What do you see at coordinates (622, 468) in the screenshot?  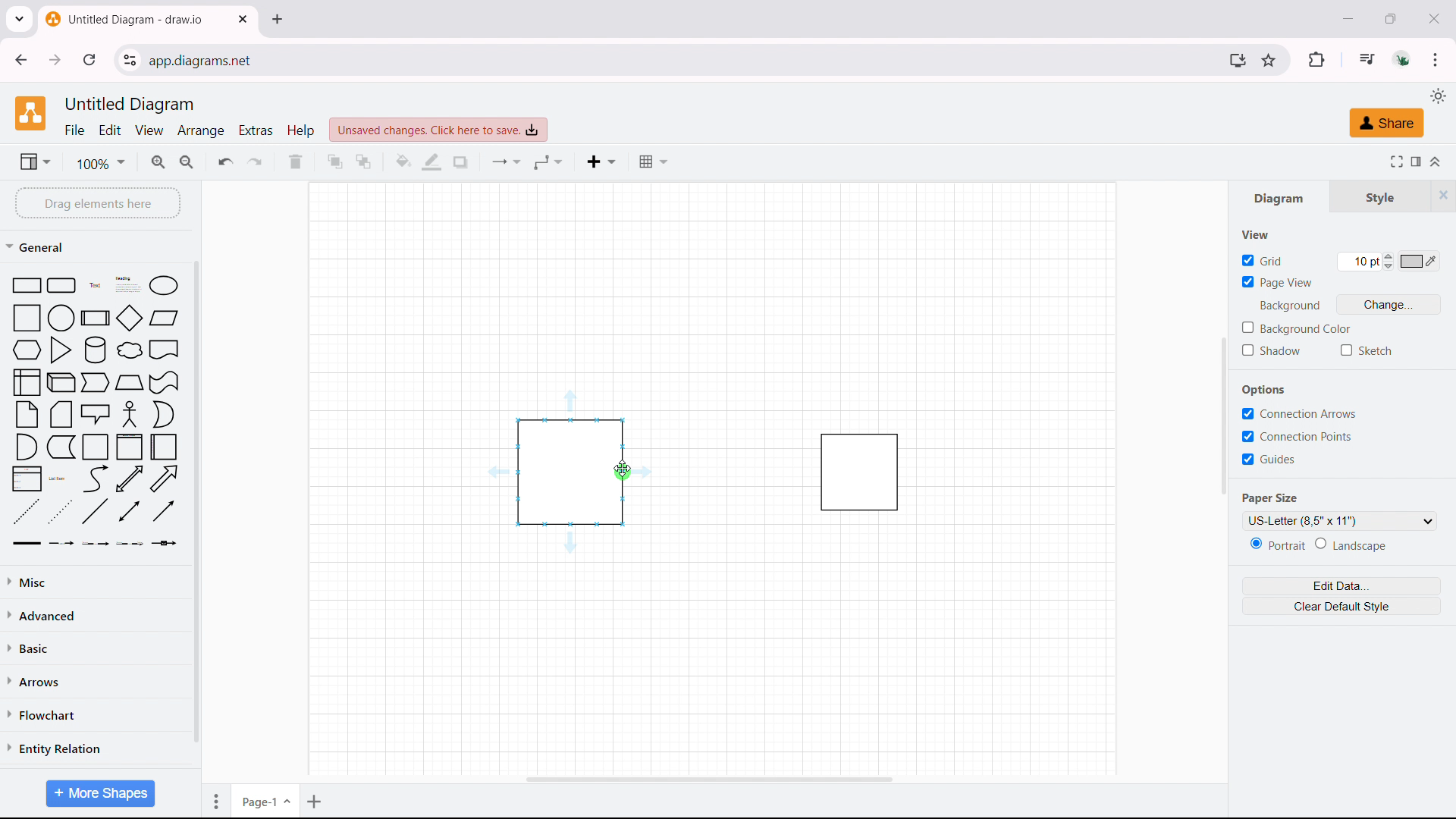 I see `cursor` at bounding box center [622, 468].